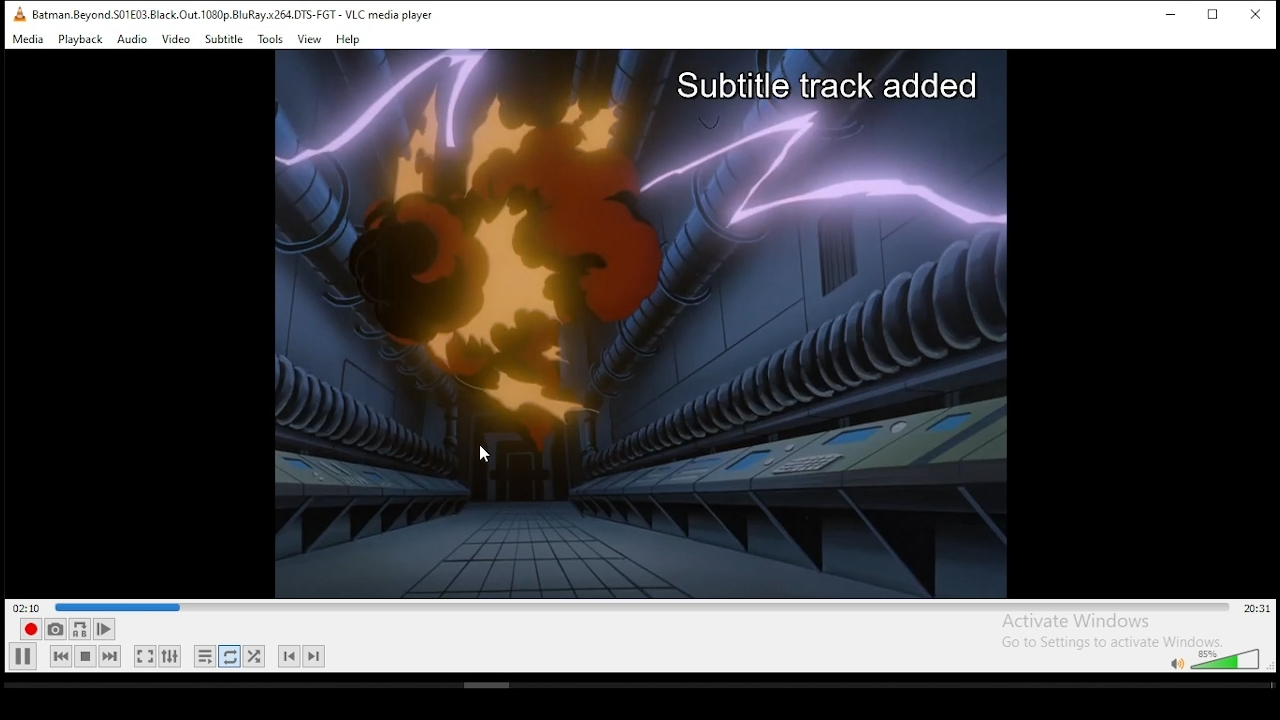 The image size is (1280, 720). What do you see at coordinates (1256, 13) in the screenshot?
I see `close window` at bounding box center [1256, 13].